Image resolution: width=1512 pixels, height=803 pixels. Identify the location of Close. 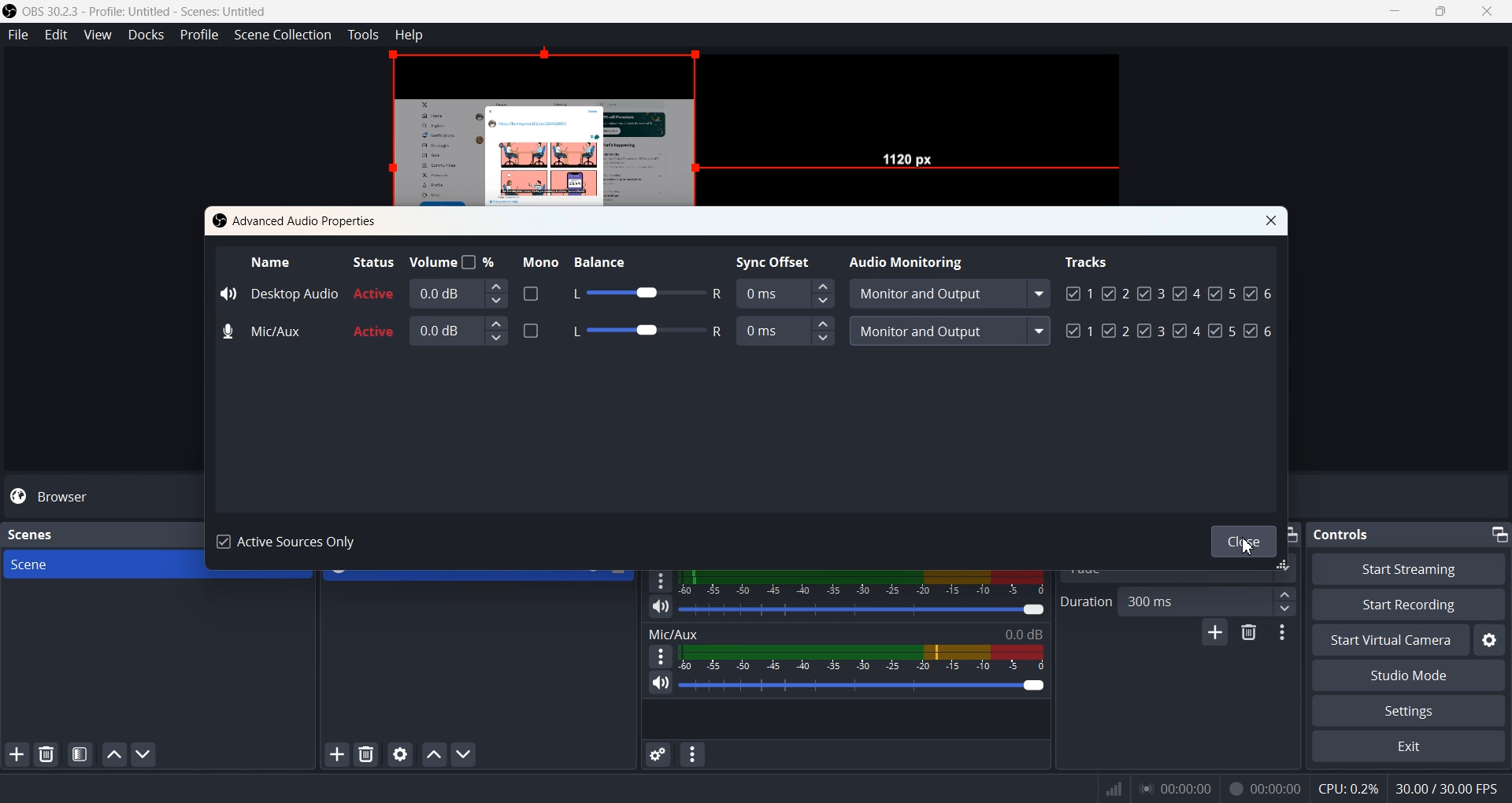
(1272, 221).